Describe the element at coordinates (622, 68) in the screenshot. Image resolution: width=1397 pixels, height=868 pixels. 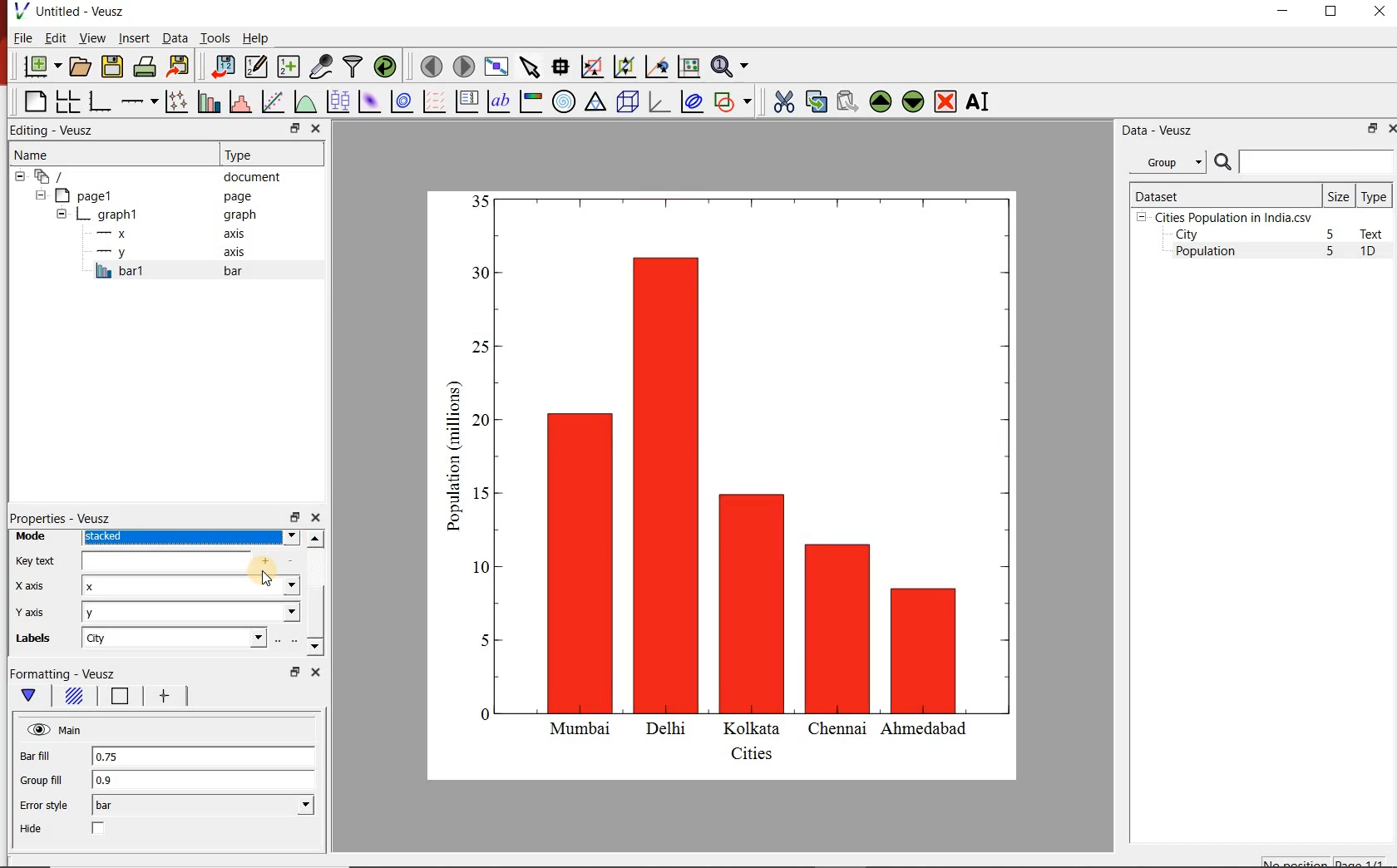
I see `click to zoom out of graph axes` at that location.